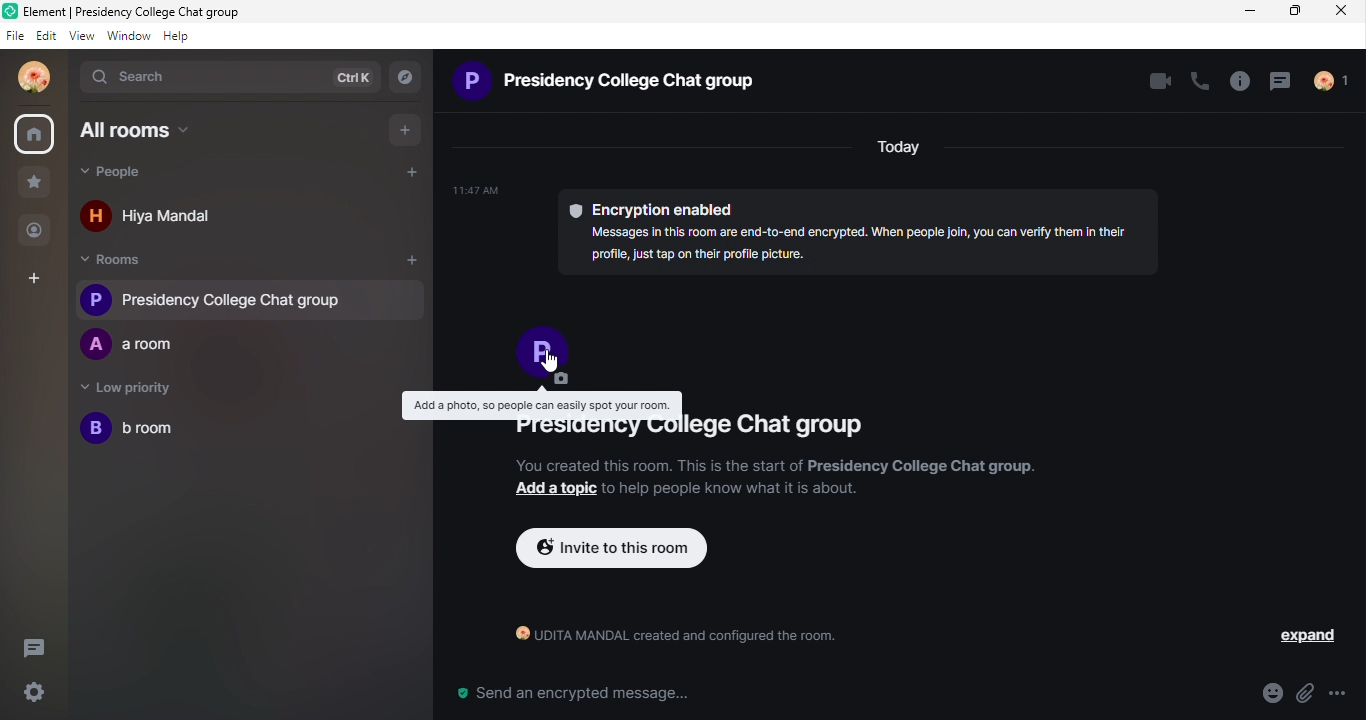  What do you see at coordinates (35, 186) in the screenshot?
I see `favourites` at bounding box center [35, 186].